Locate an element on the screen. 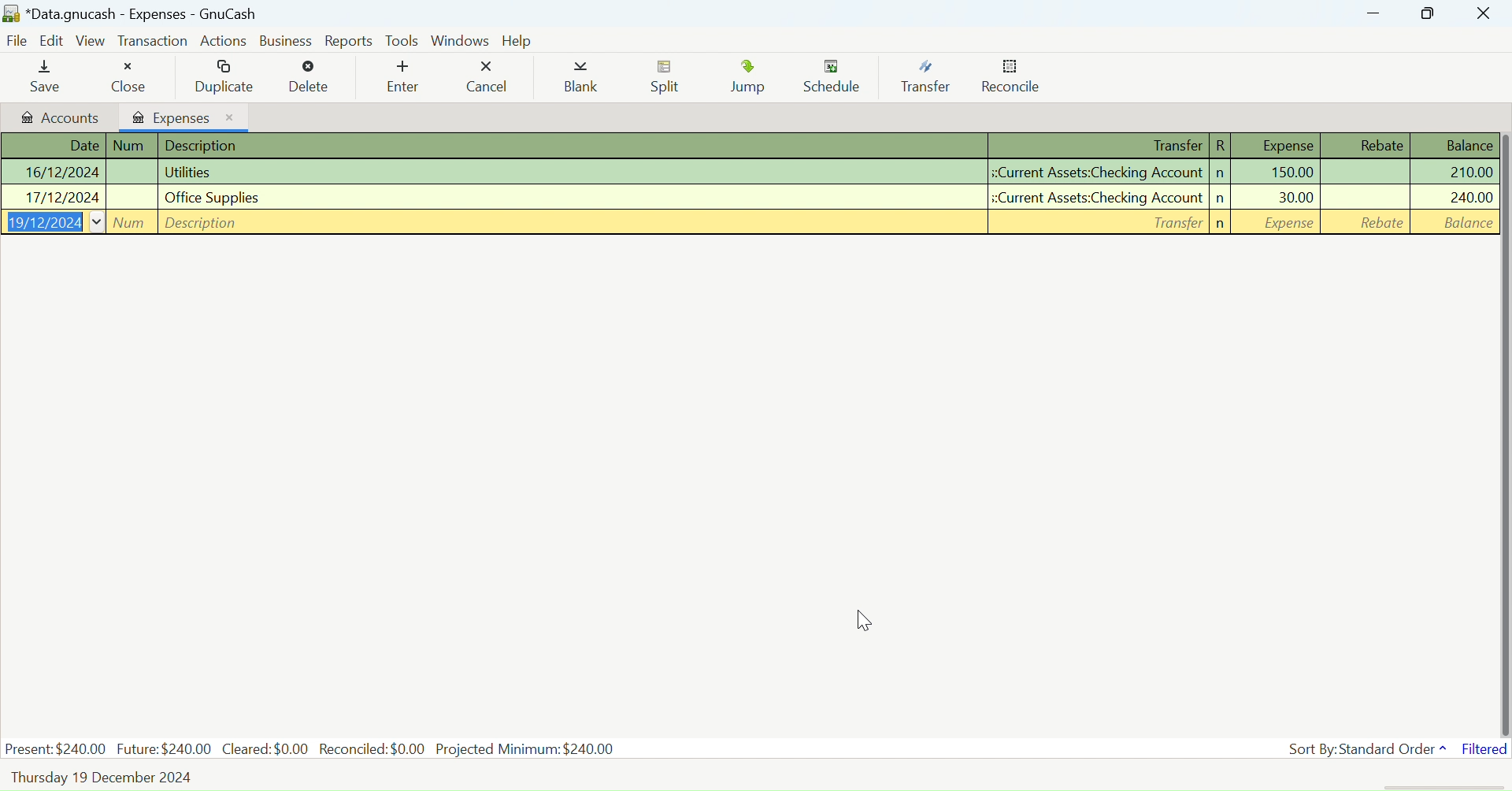 The height and width of the screenshot is (791, 1512). Tools is located at coordinates (402, 39).